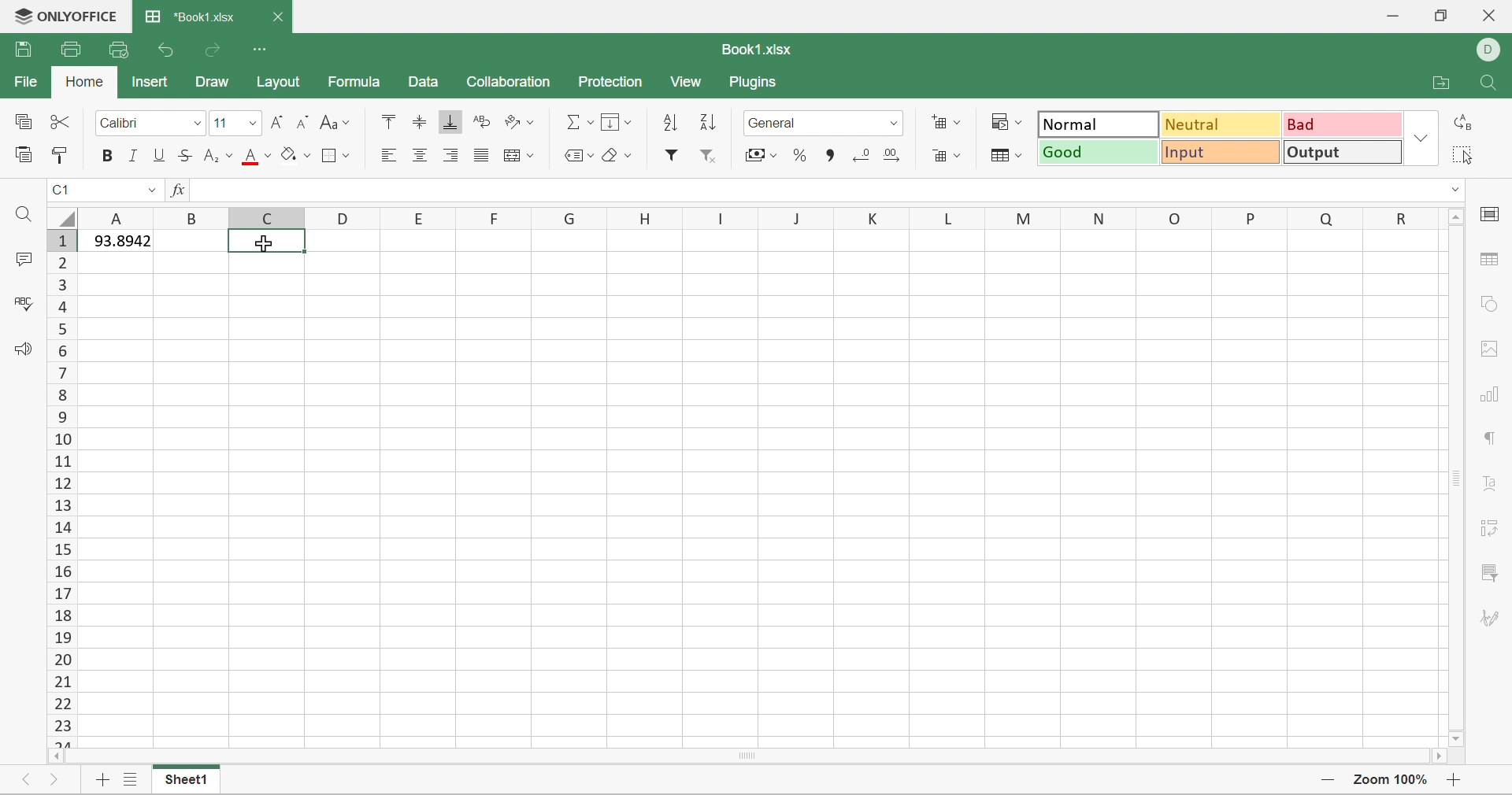 The image size is (1512, 795). I want to click on Image settings, so click(1487, 348).